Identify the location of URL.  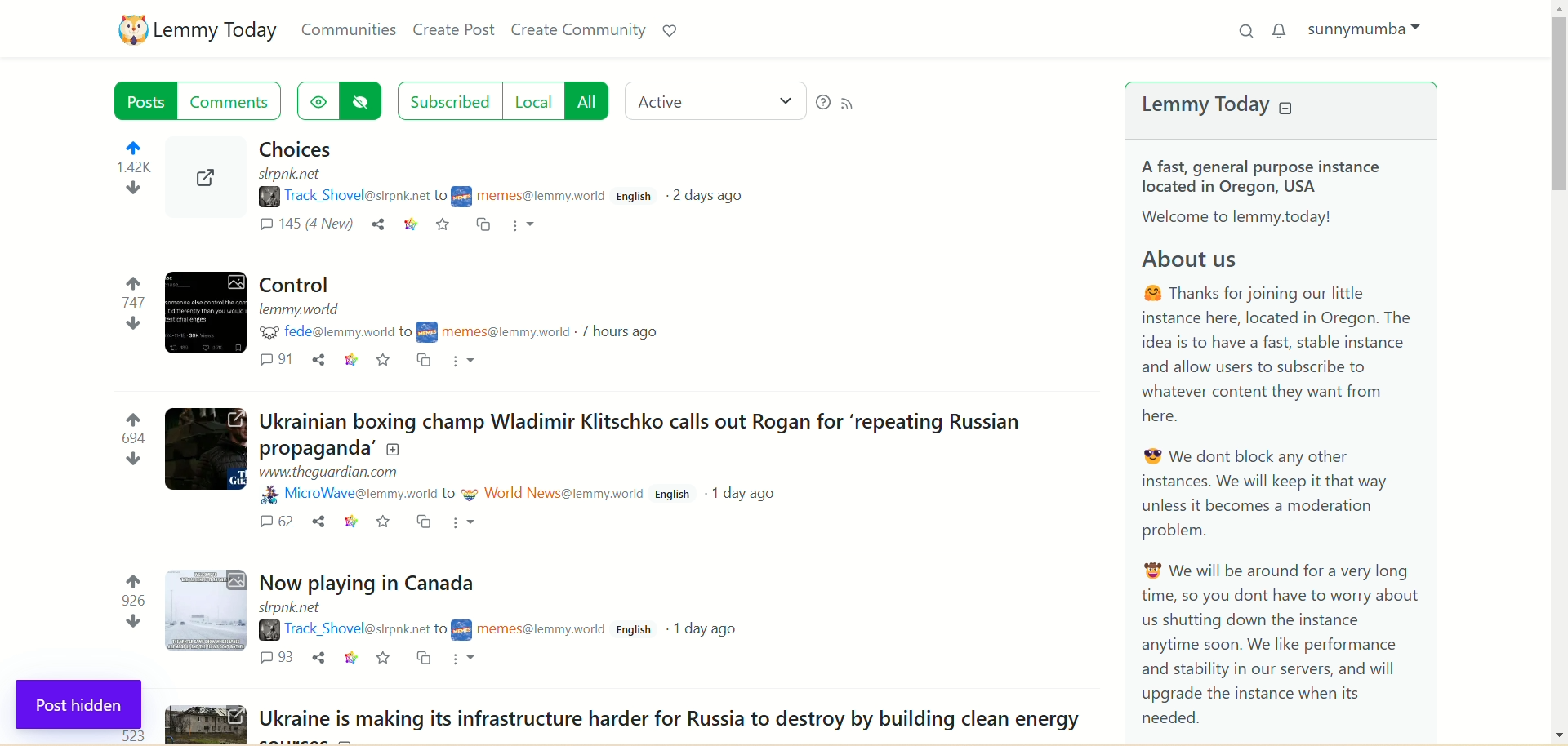
(296, 176).